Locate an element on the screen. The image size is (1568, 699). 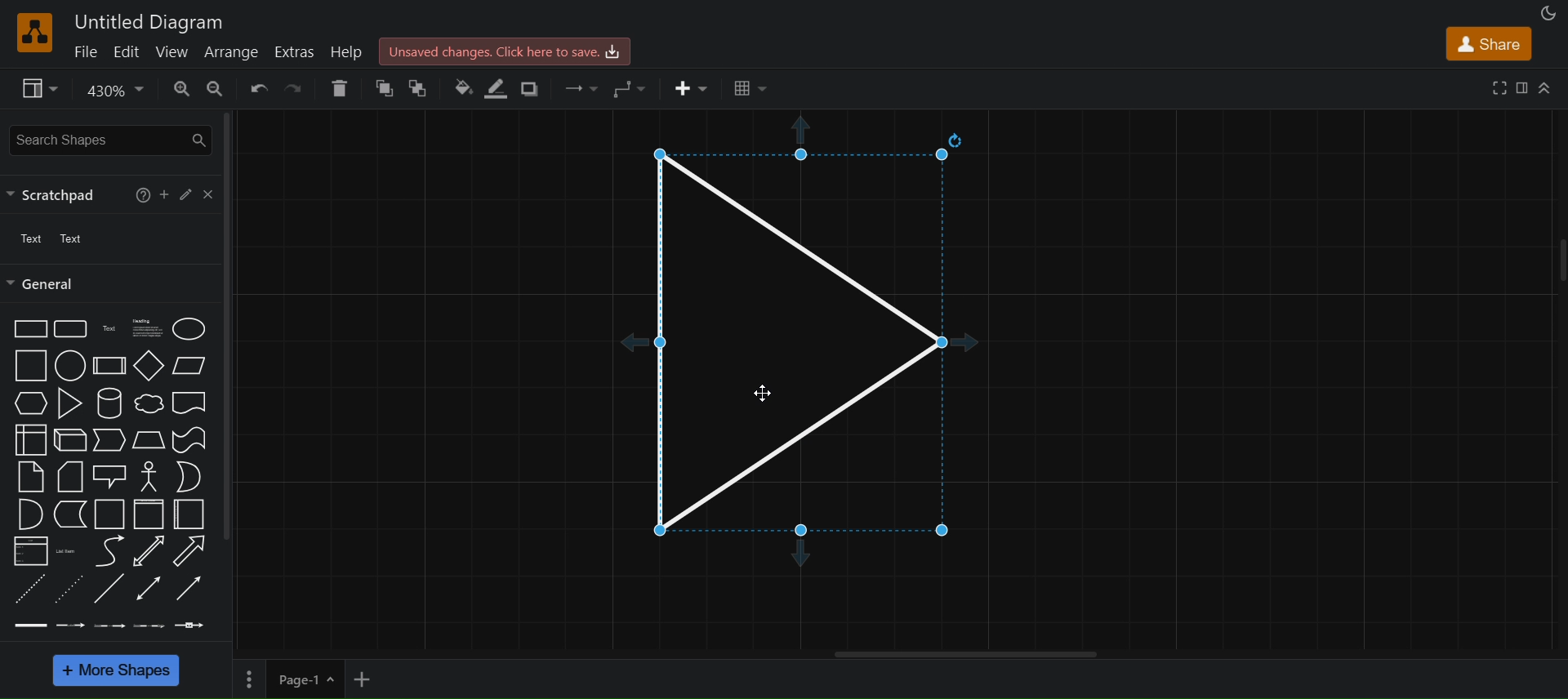
view is located at coordinates (173, 50).